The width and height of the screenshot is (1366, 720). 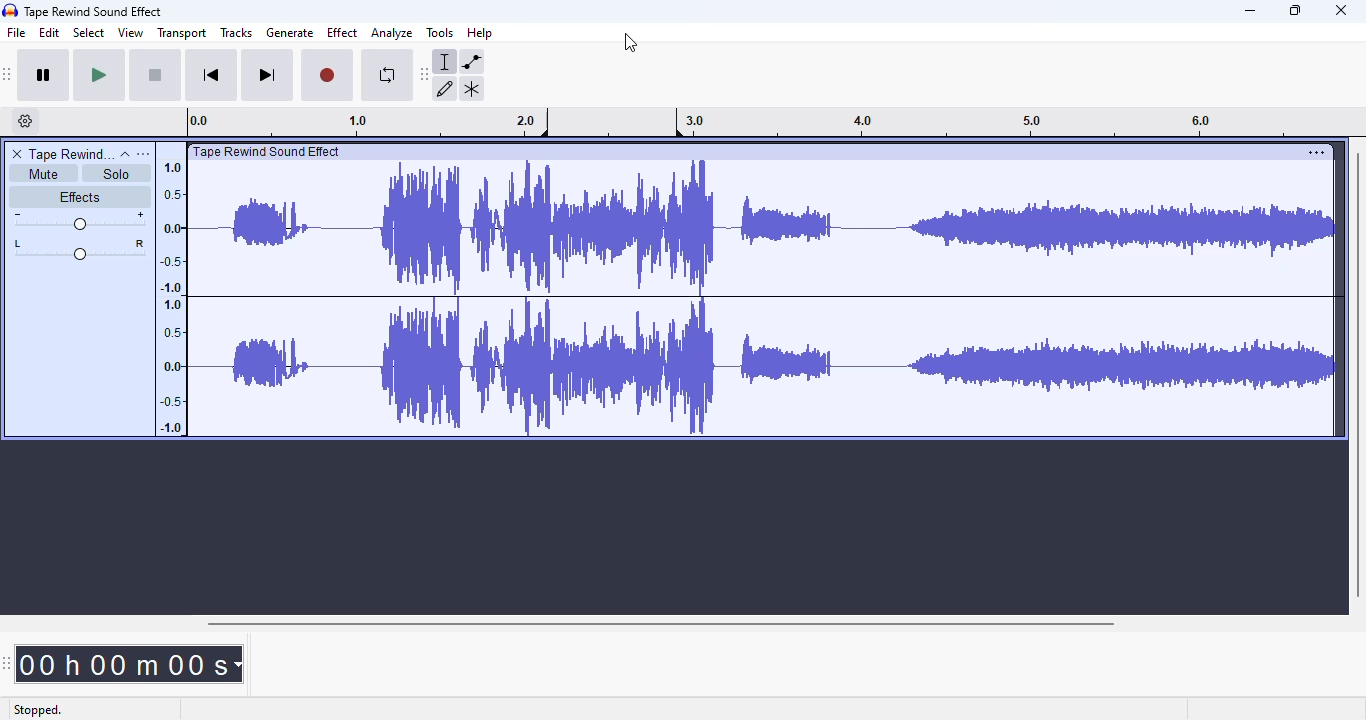 What do you see at coordinates (447, 88) in the screenshot?
I see `draw tool` at bounding box center [447, 88].